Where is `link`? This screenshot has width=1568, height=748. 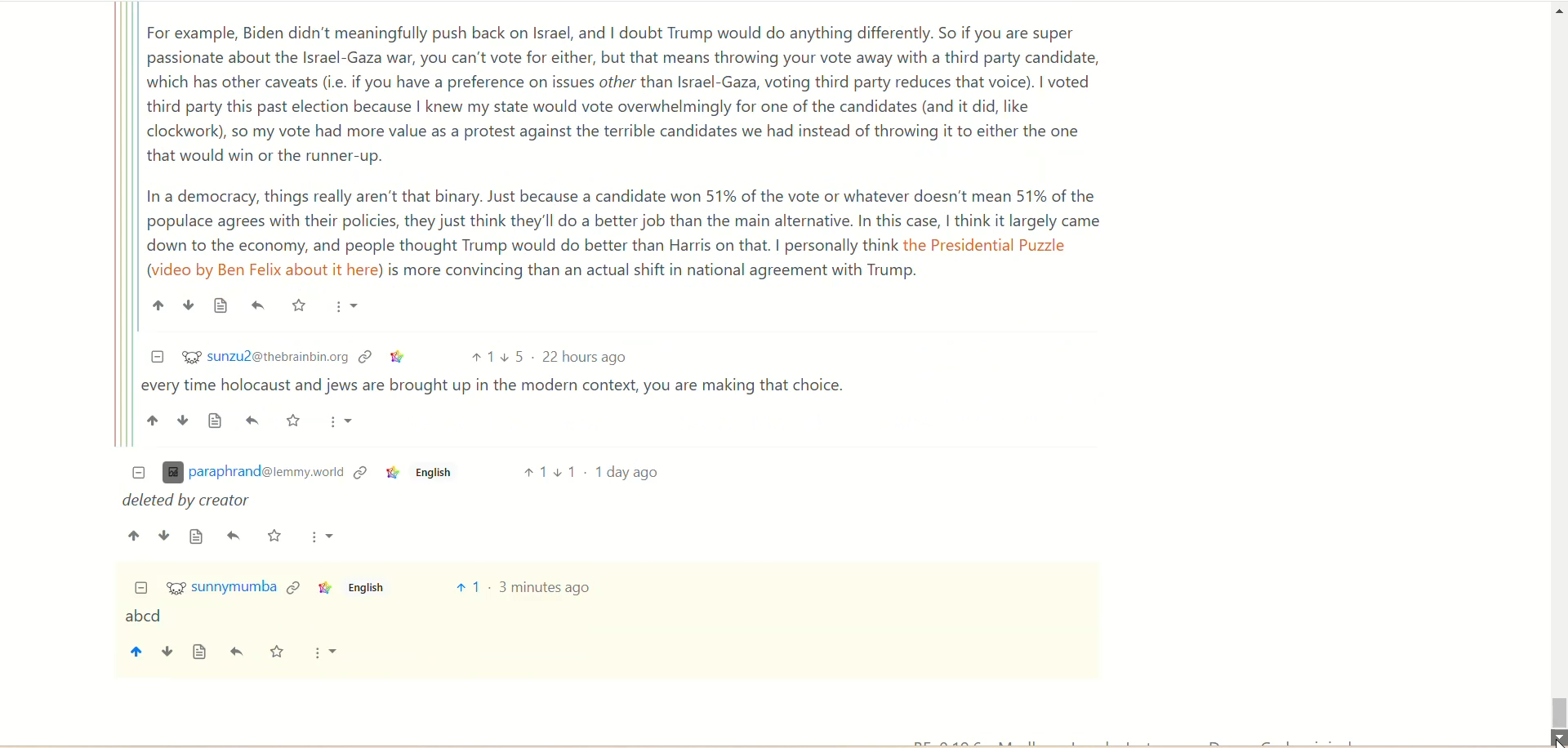 link is located at coordinates (295, 590).